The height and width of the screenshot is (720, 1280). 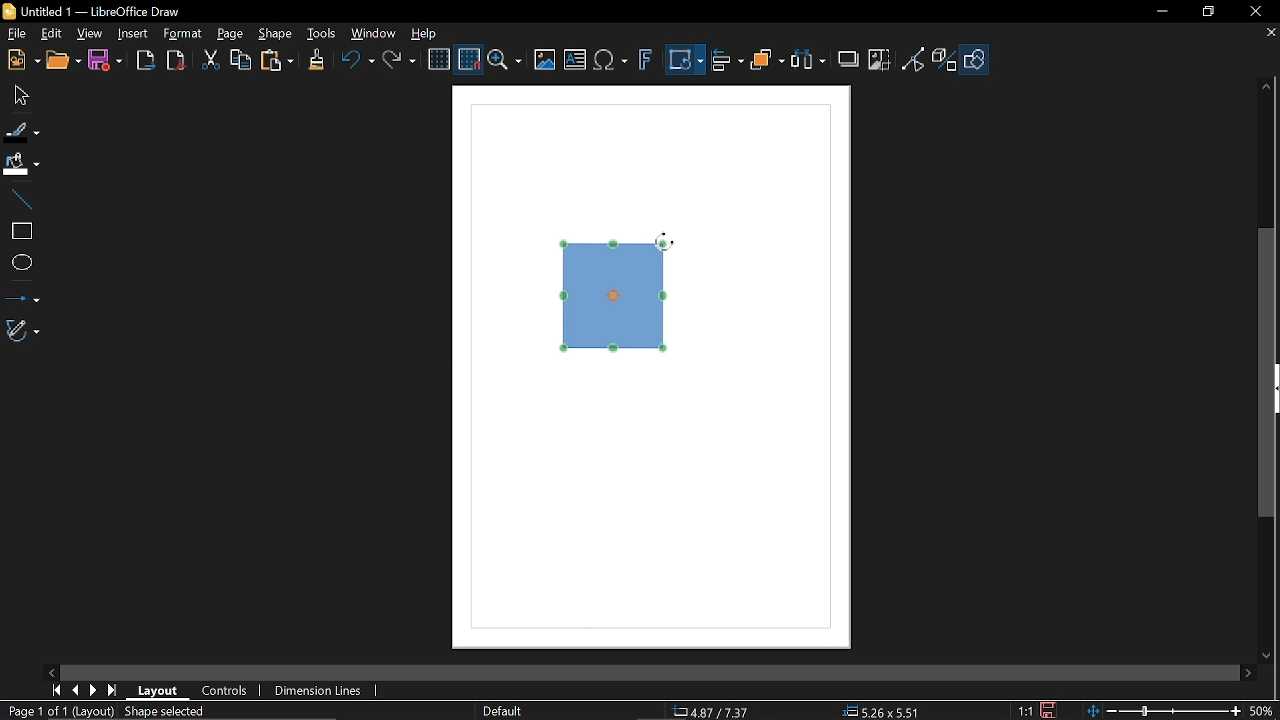 I want to click on Insert text, so click(x=574, y=61).